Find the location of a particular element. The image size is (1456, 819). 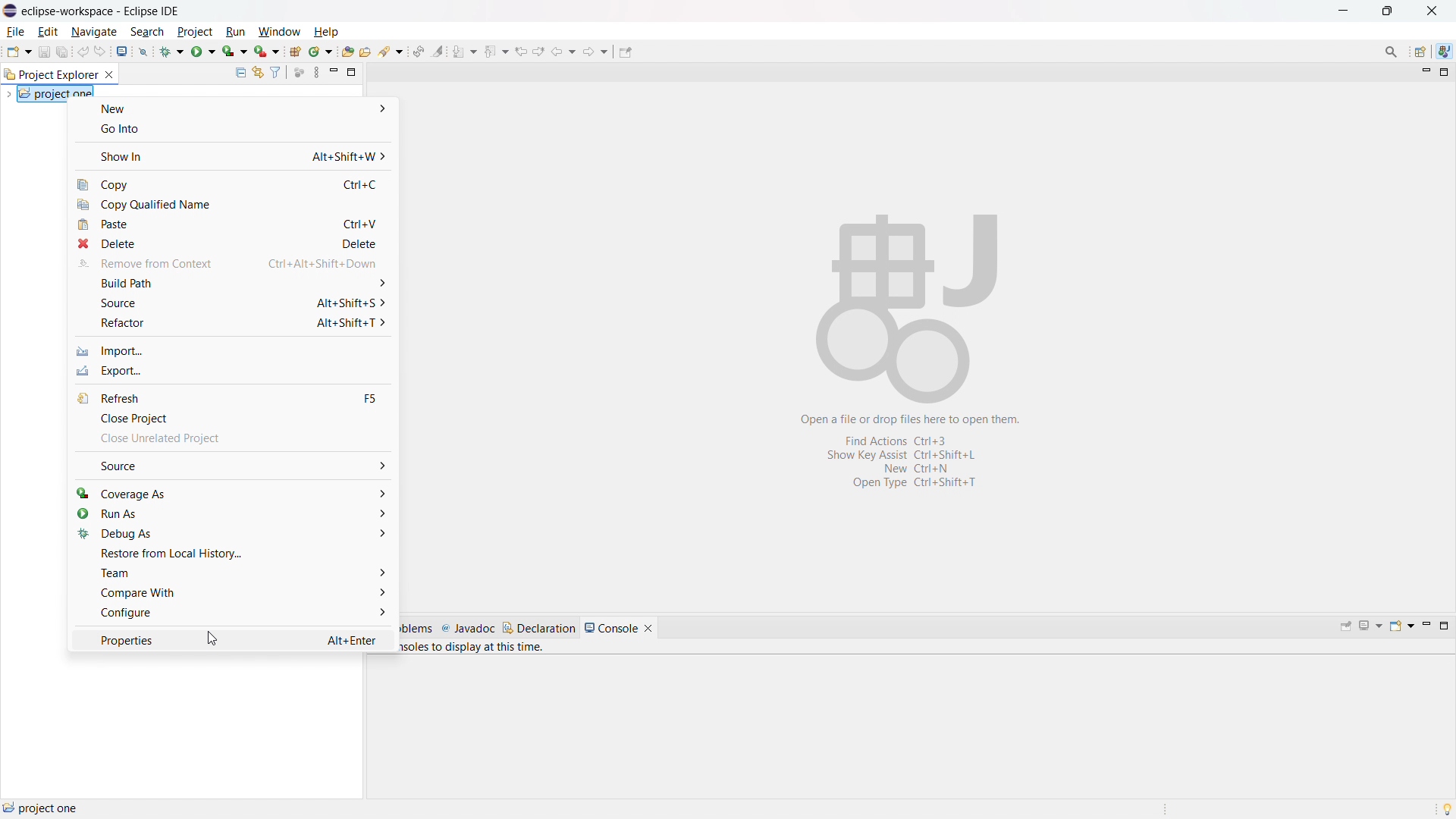

paste is located at coordinates (231, 224).